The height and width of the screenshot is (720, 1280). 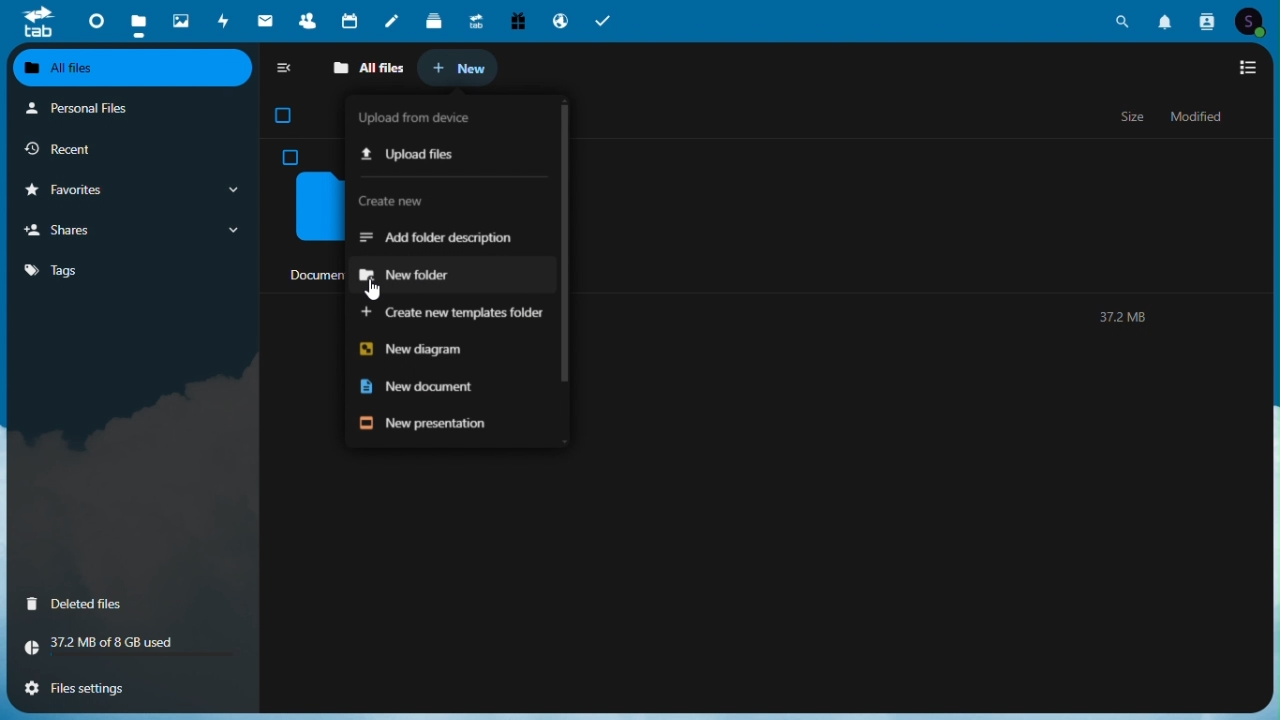 What do you see at coordinates (1195, 117) in the screenshot?
I see `Modified` at bounding box center [1195, 117].